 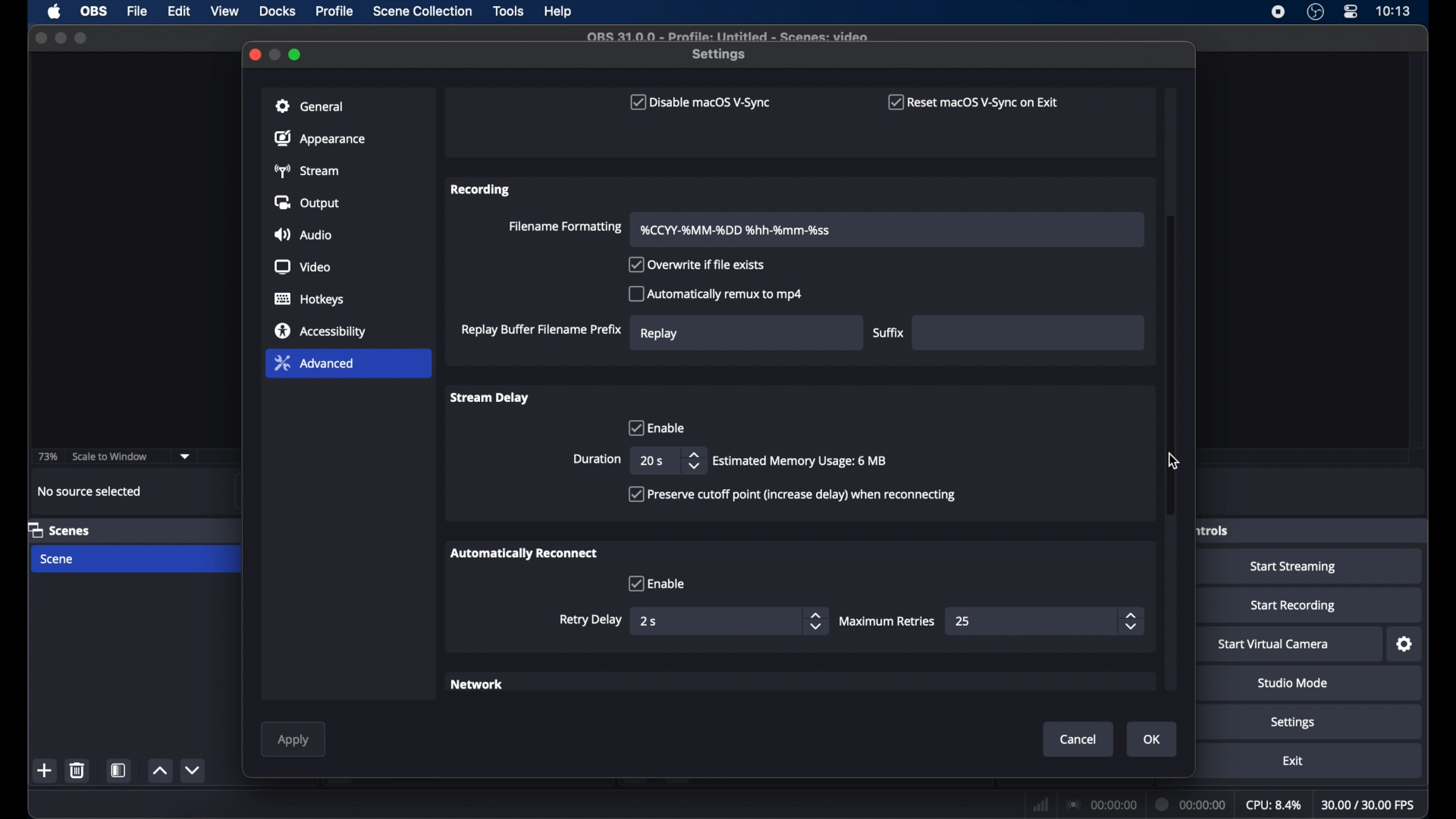 What do you see at coordinates (974, 102) in the screenshot?
I see `reset macOS V-sync on exit` at bounding box center [974, 102].